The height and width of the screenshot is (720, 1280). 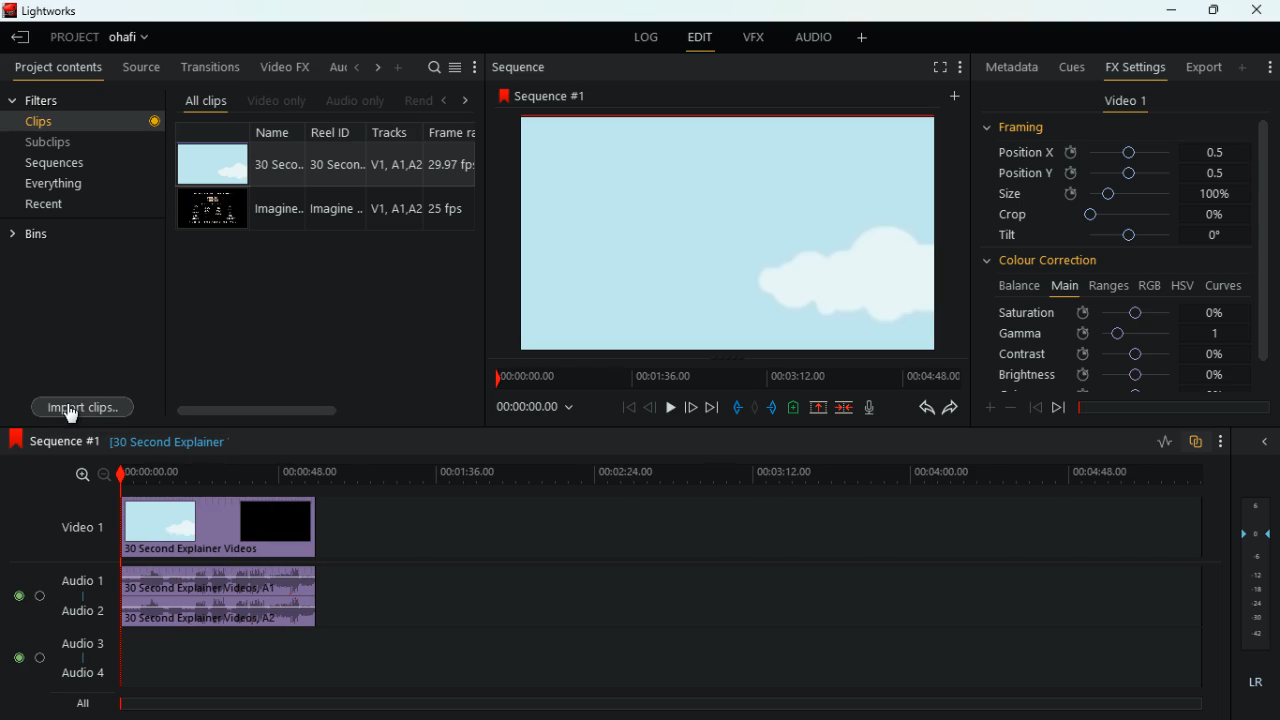 I want to click on lightworks, so click(x=65, y=10).